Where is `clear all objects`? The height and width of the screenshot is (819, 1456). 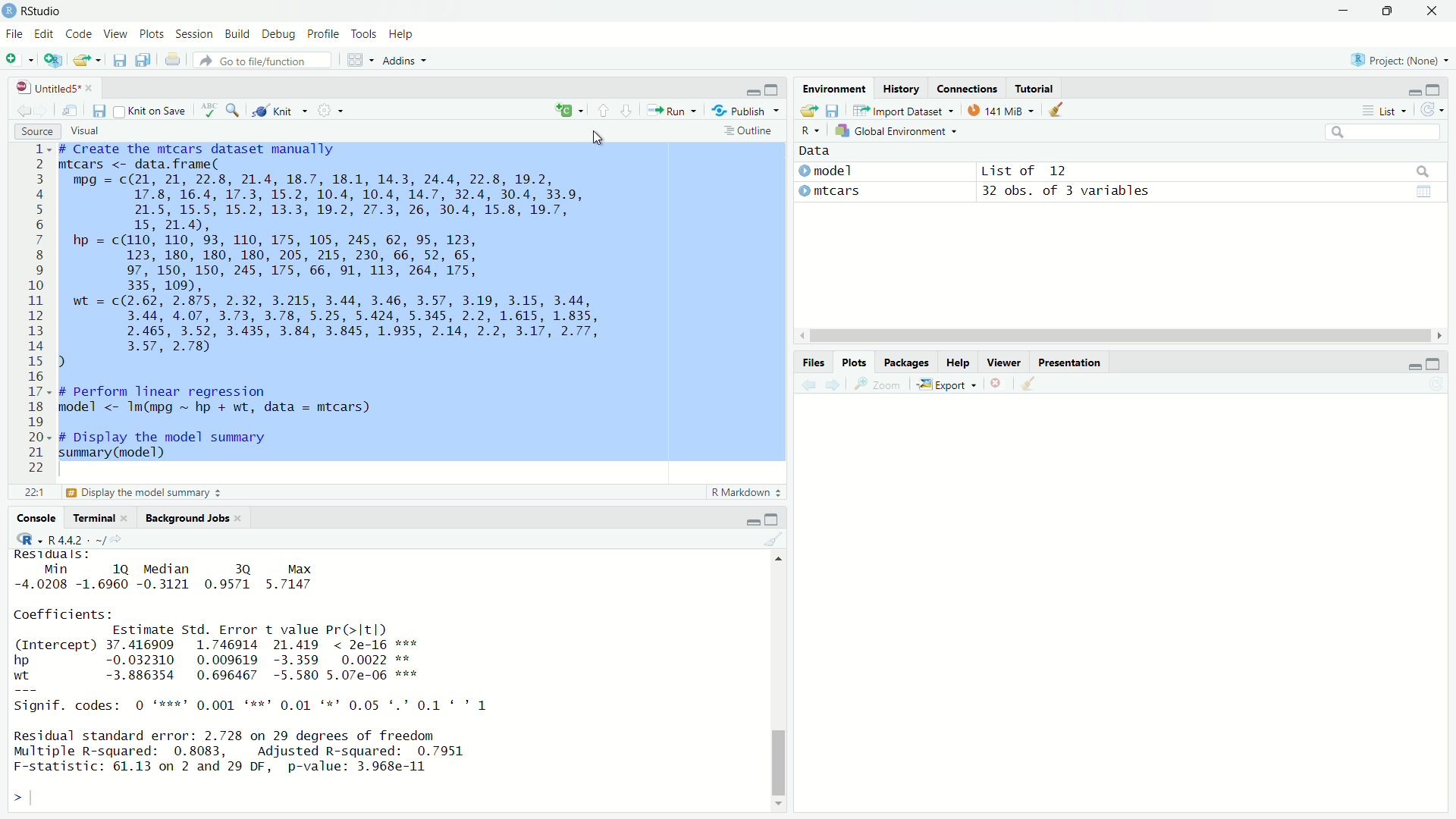
clear all objects is located at coordinates (1063, 110).